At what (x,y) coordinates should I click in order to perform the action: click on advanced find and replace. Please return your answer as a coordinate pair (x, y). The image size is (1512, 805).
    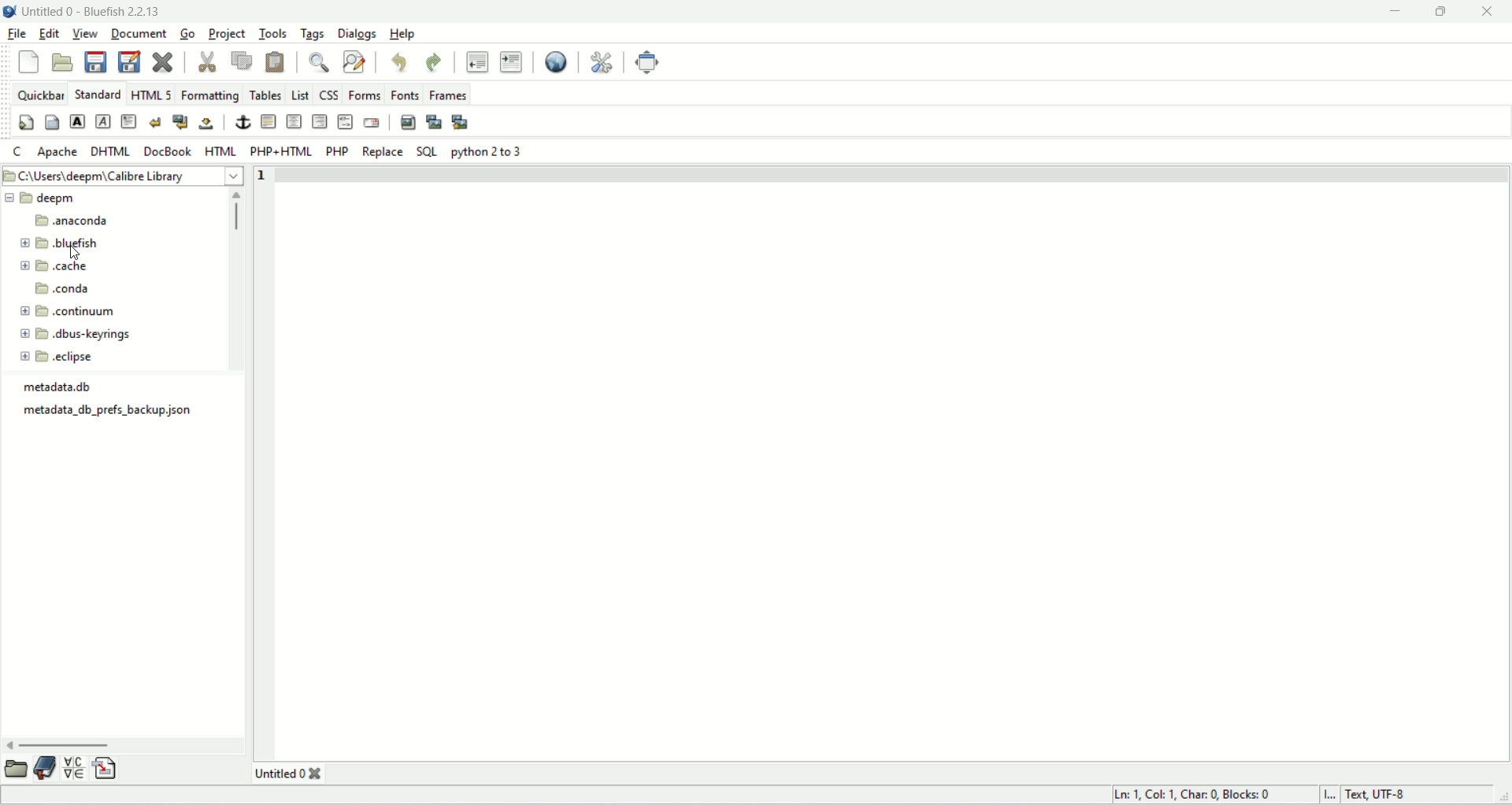
    Looking at the image, I should click on (353, 61).